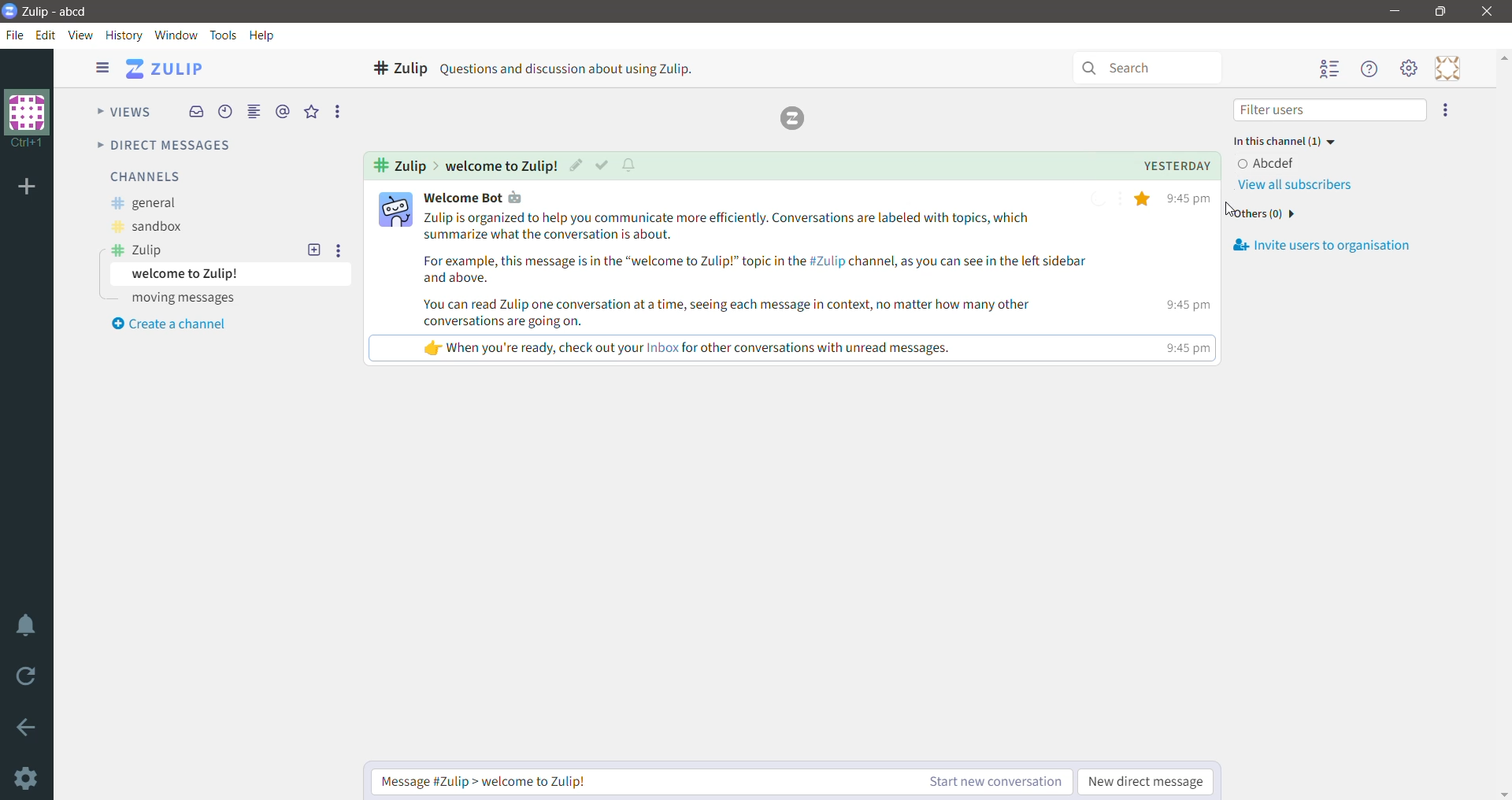 This screenshot has height=800, width=1512. I want to click on Views, so click(124, 109).